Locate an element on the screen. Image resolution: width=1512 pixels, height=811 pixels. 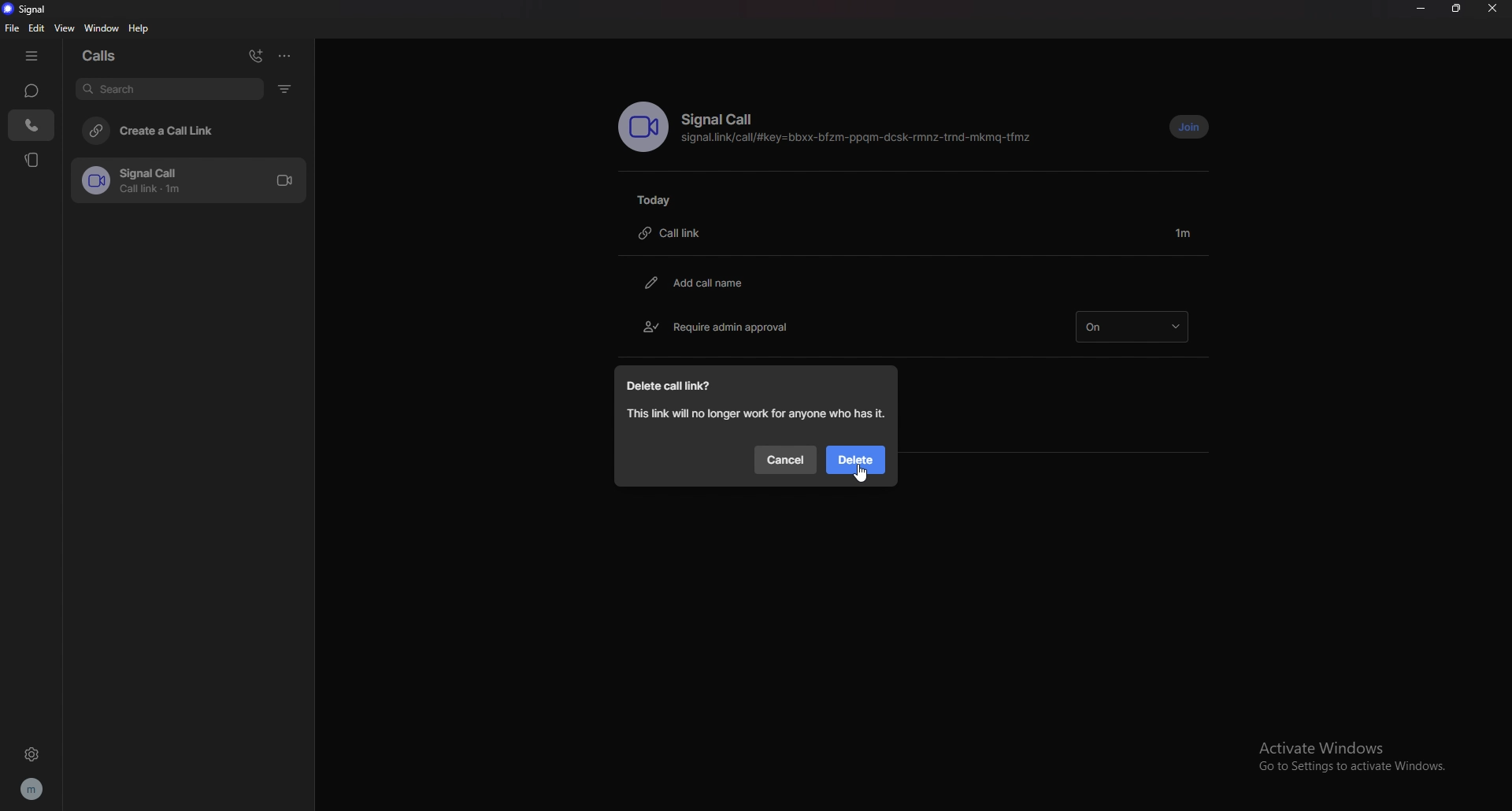
add call name is located at coordinates (702, 283).